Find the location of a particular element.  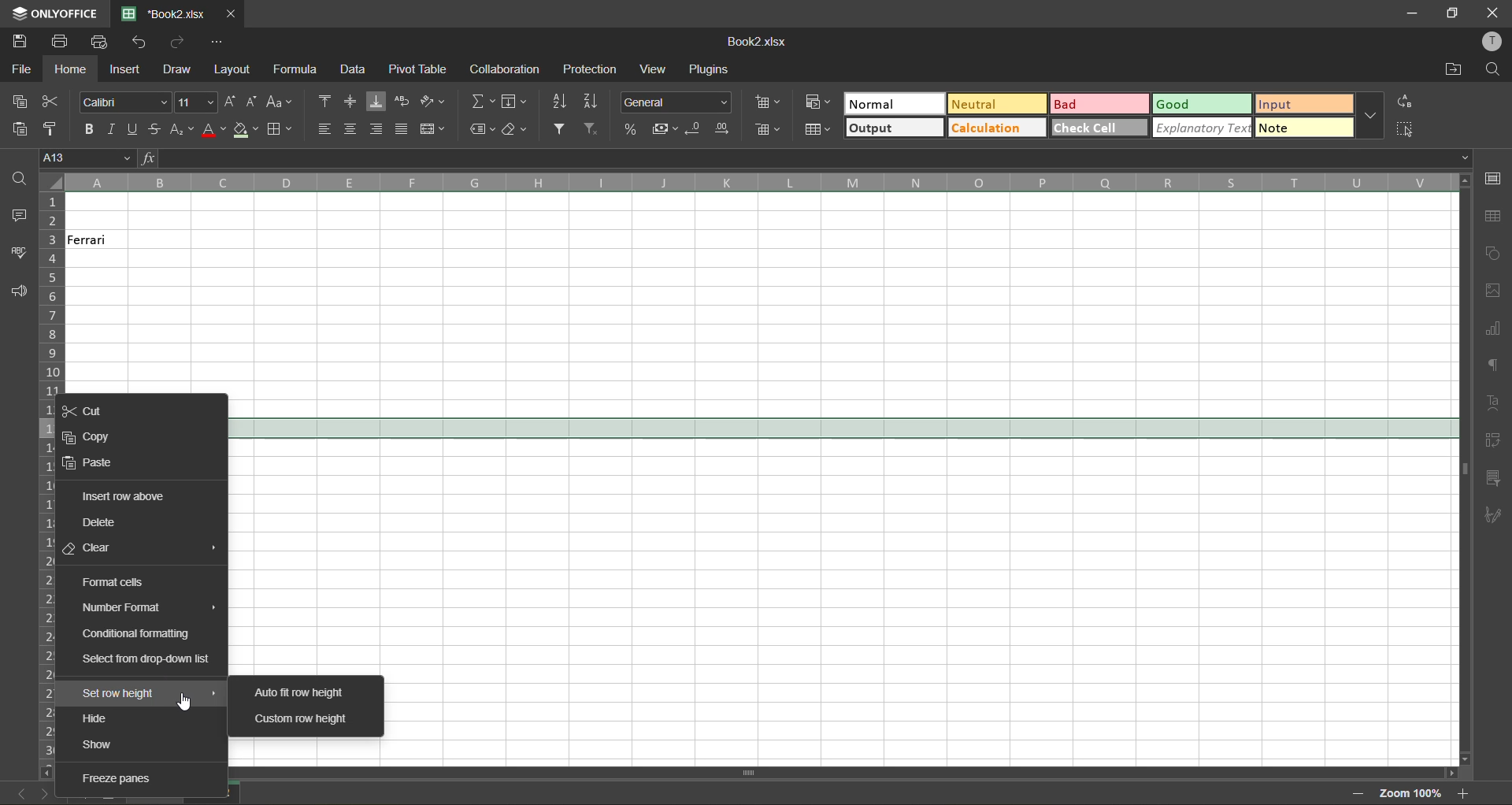

output is located at coordinates (893, 127).